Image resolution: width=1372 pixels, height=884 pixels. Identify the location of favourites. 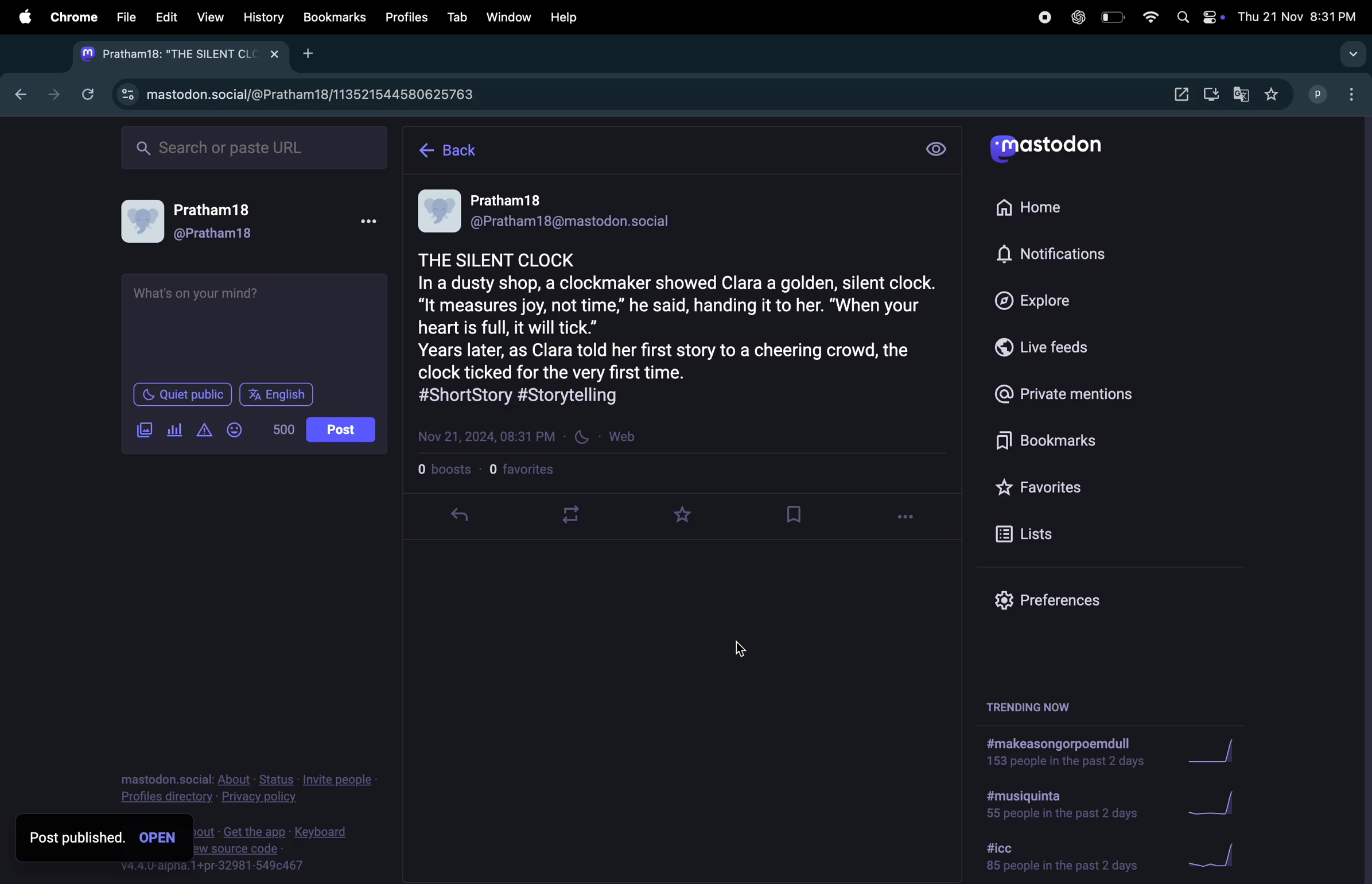
(690, 518).